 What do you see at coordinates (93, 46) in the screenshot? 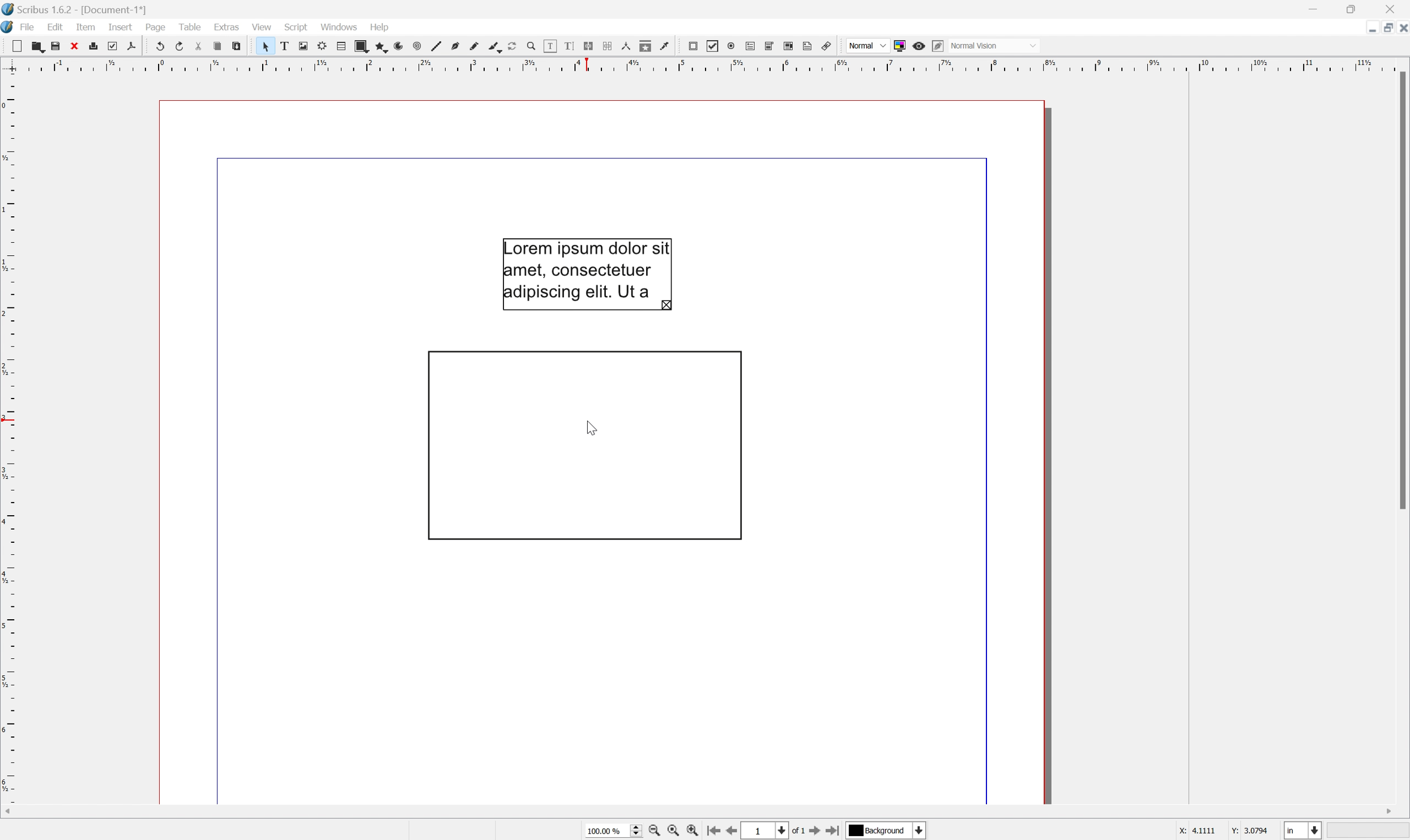
I see `Print` at bounding box center [93, 46].